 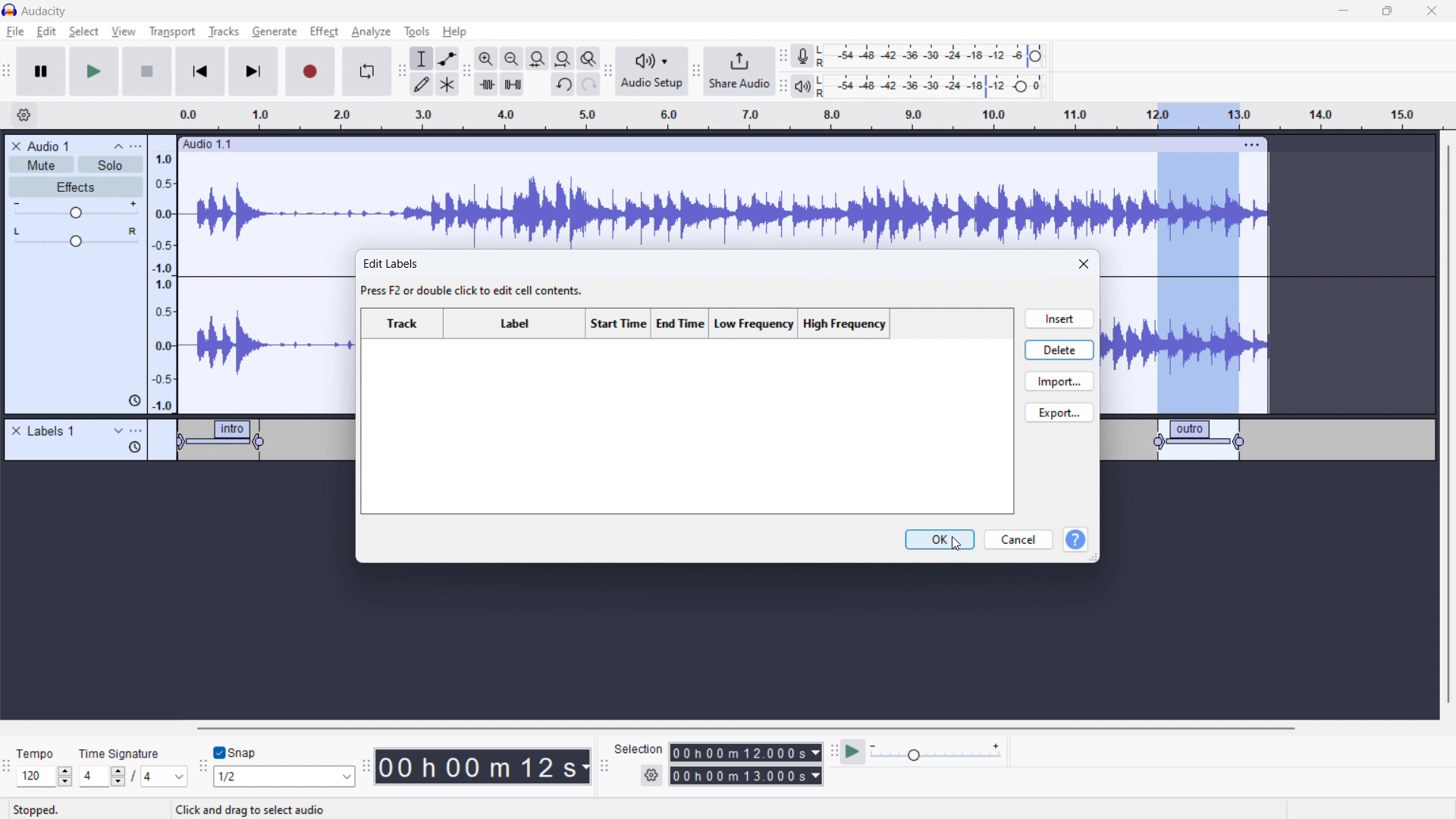 What do you see at coordinates (708, 145) in the screenshot?
I see `click to move` at bounding box center [708, 145].